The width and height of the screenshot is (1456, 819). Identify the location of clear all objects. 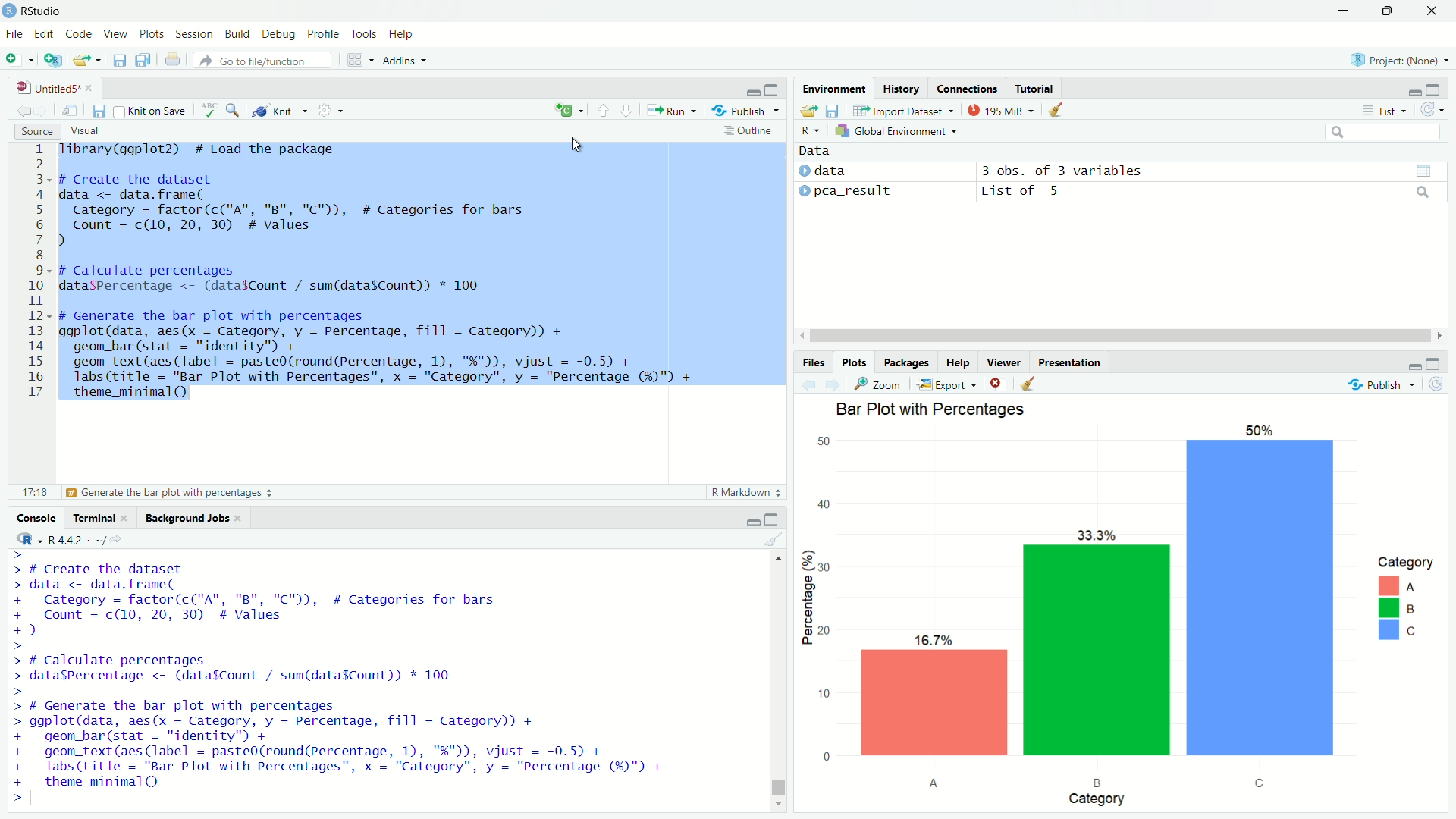
(1058, 110).